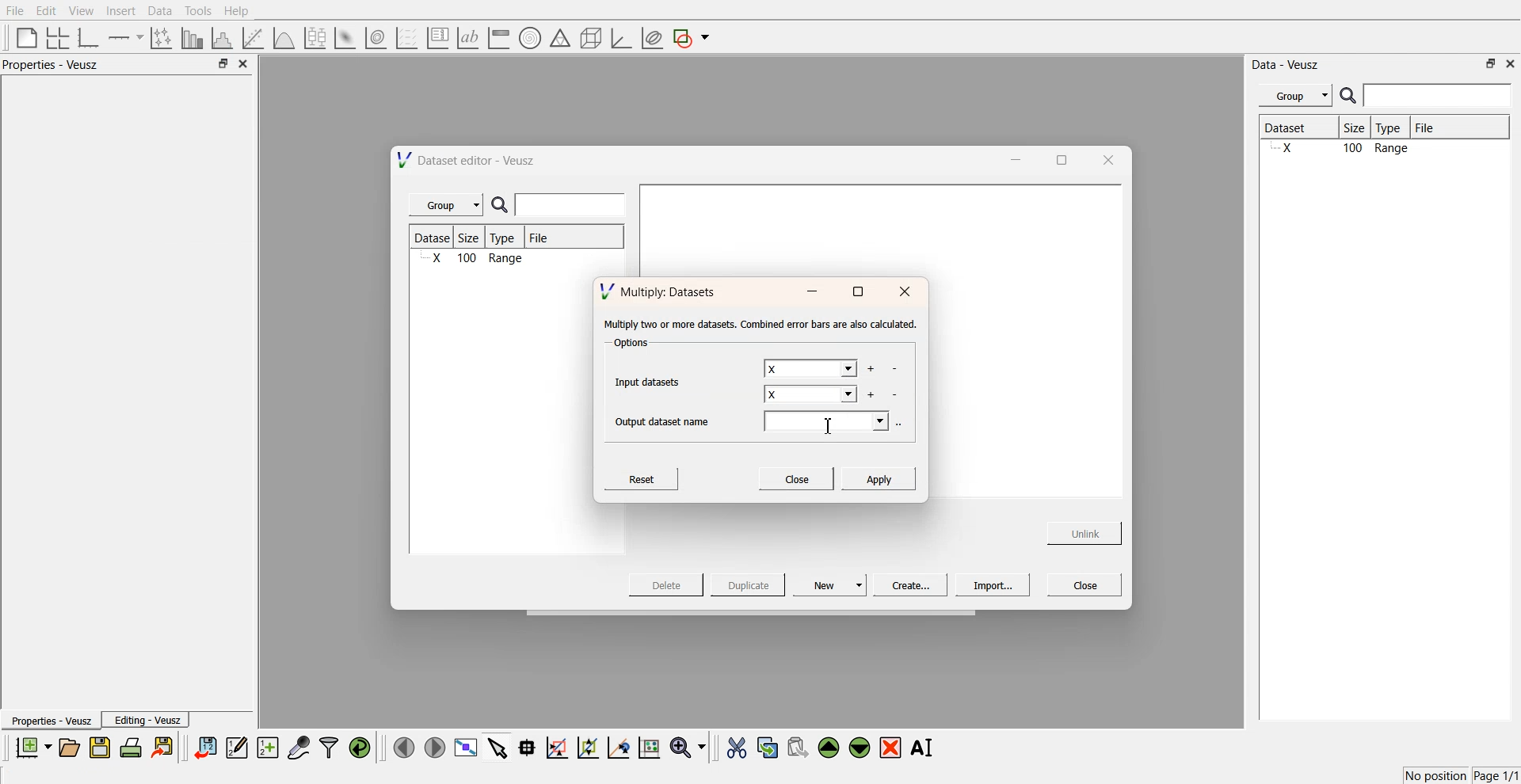 The width and height of the screenshot is (1521, 784). What do you see at coordinates (832, 584) in the screenshot?
I see `New` at bounding box center [832, 584].